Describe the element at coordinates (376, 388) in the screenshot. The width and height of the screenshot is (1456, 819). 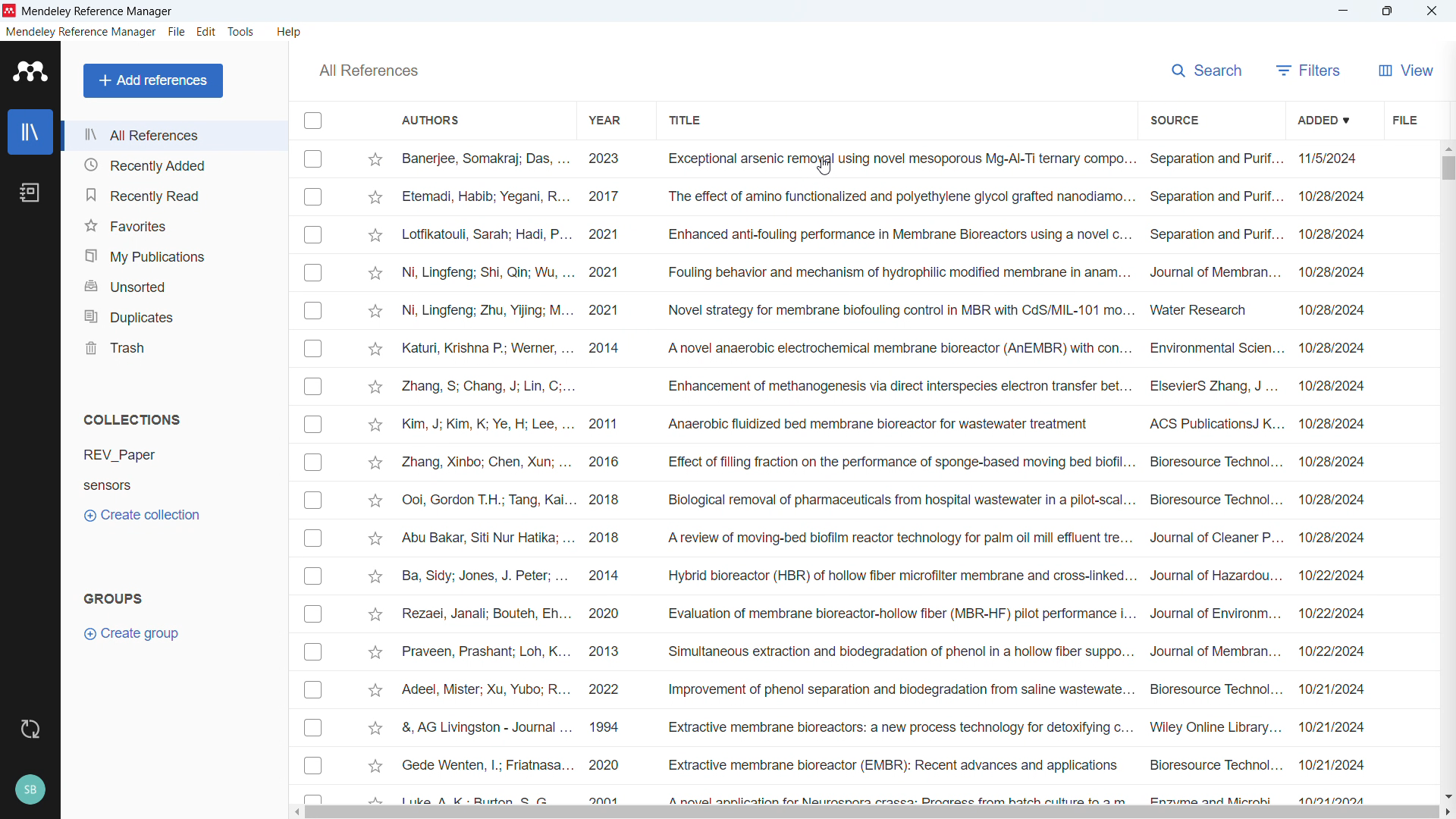
I see `click to starmark individual entries` at that location.